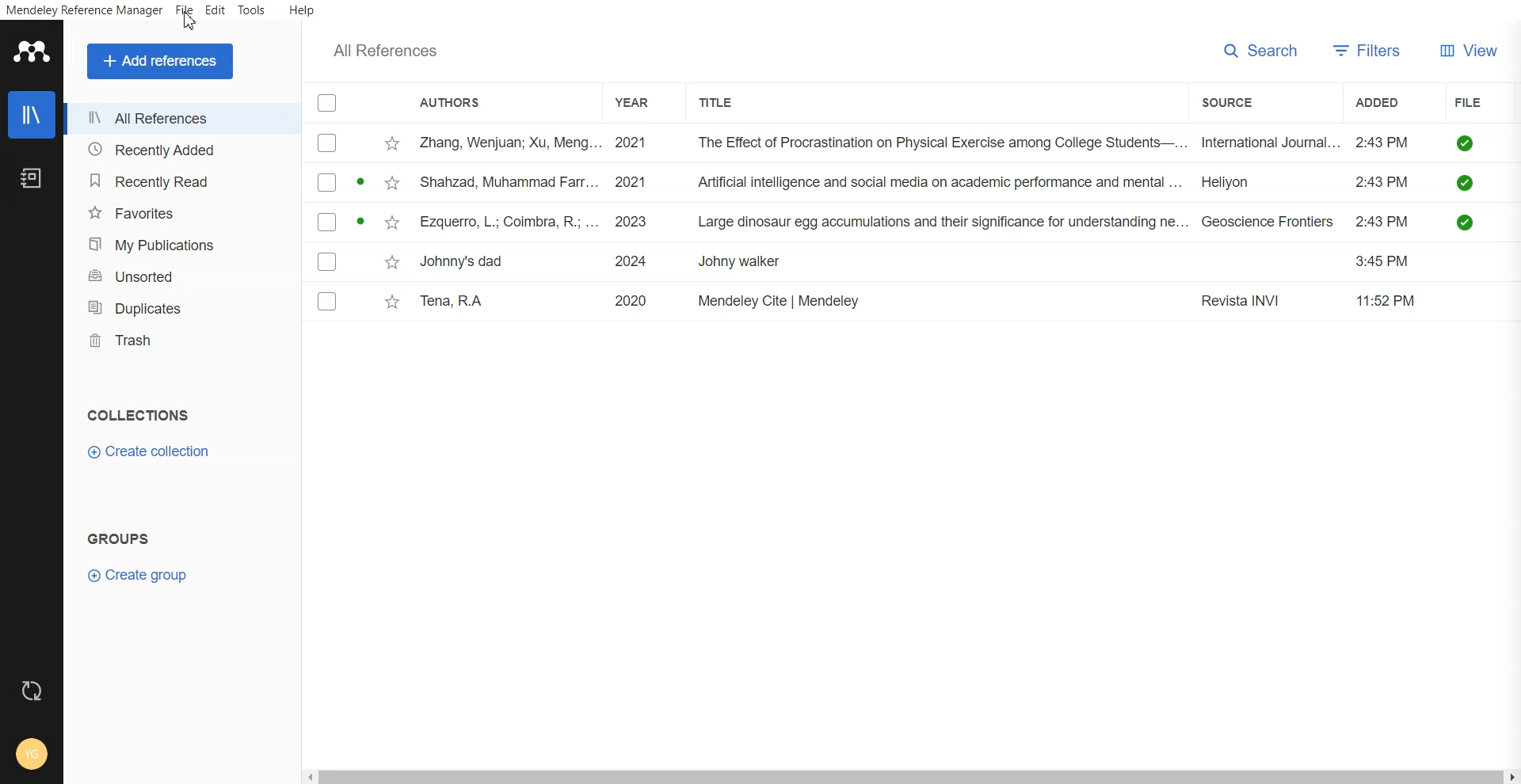 Image resolution: width=1521 pixels, height=784 pixels. Describe the element at coordinates (1388, 300) in the screenshot. I see `11:52 PM` at that location.